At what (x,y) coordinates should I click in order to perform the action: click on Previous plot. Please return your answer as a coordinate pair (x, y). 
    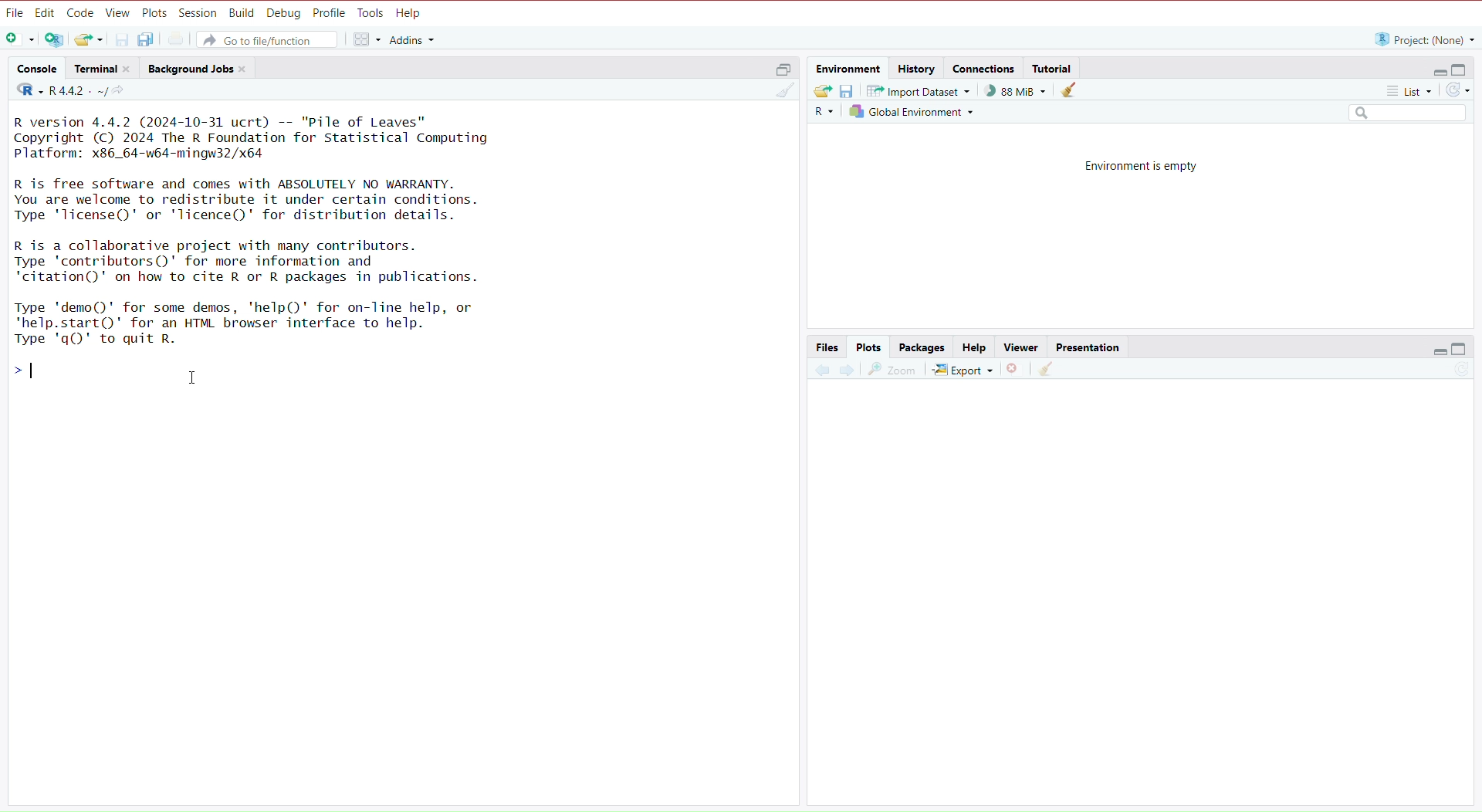
    Looking at the image, I should click on (822, 367).